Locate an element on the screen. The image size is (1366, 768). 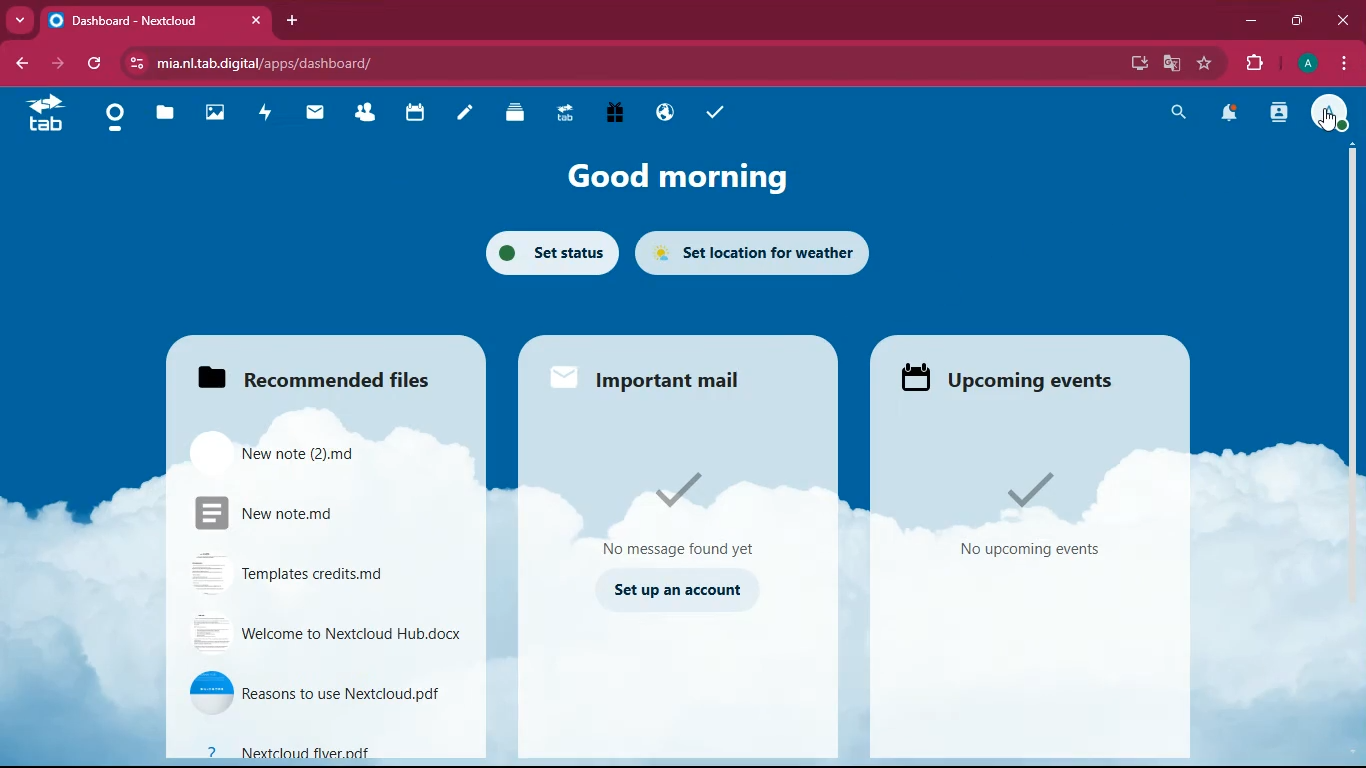
minimize is located at coordinates (1246, 21).